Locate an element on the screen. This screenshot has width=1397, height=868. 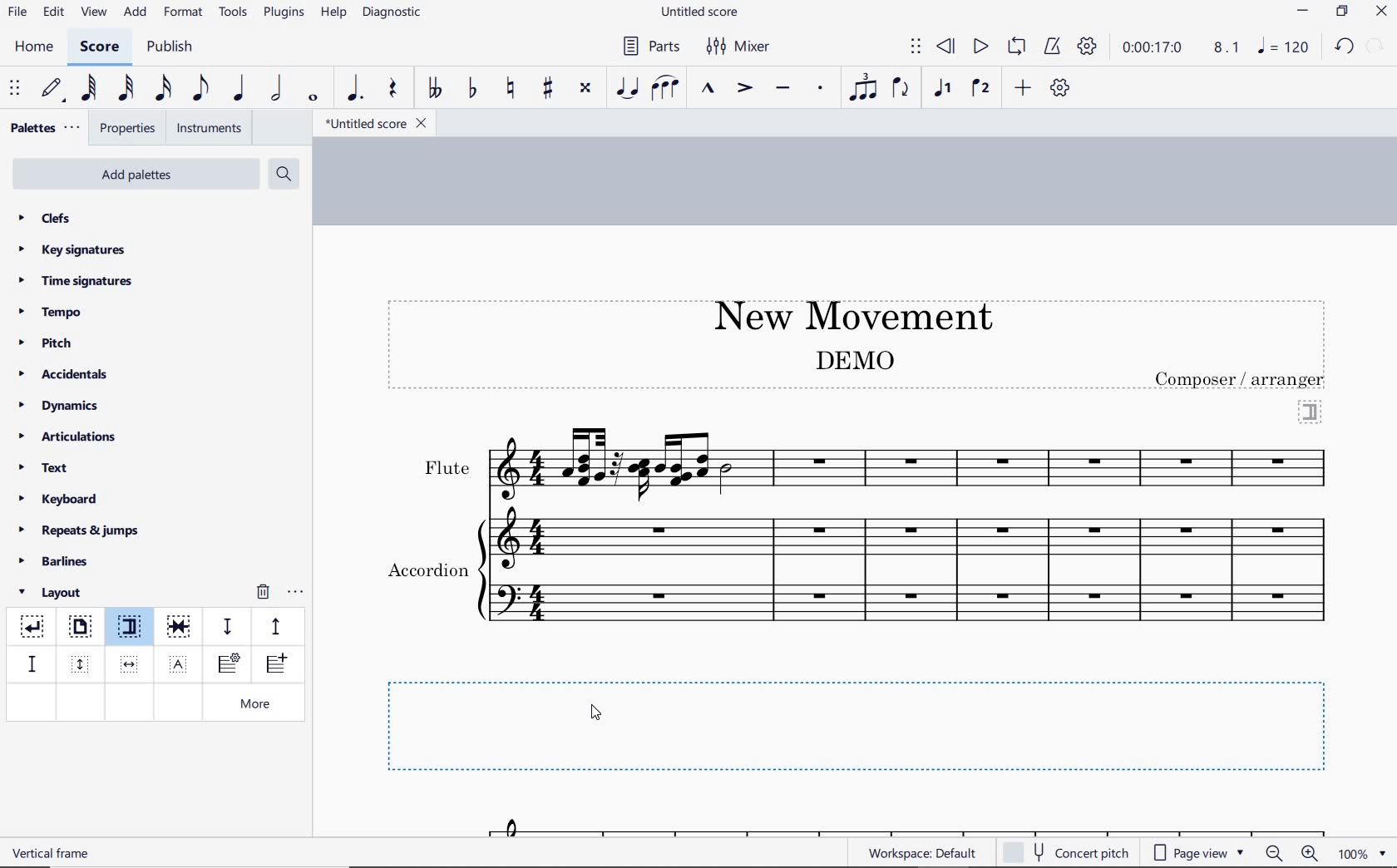
voice1 is located at coordinates (945, 89).